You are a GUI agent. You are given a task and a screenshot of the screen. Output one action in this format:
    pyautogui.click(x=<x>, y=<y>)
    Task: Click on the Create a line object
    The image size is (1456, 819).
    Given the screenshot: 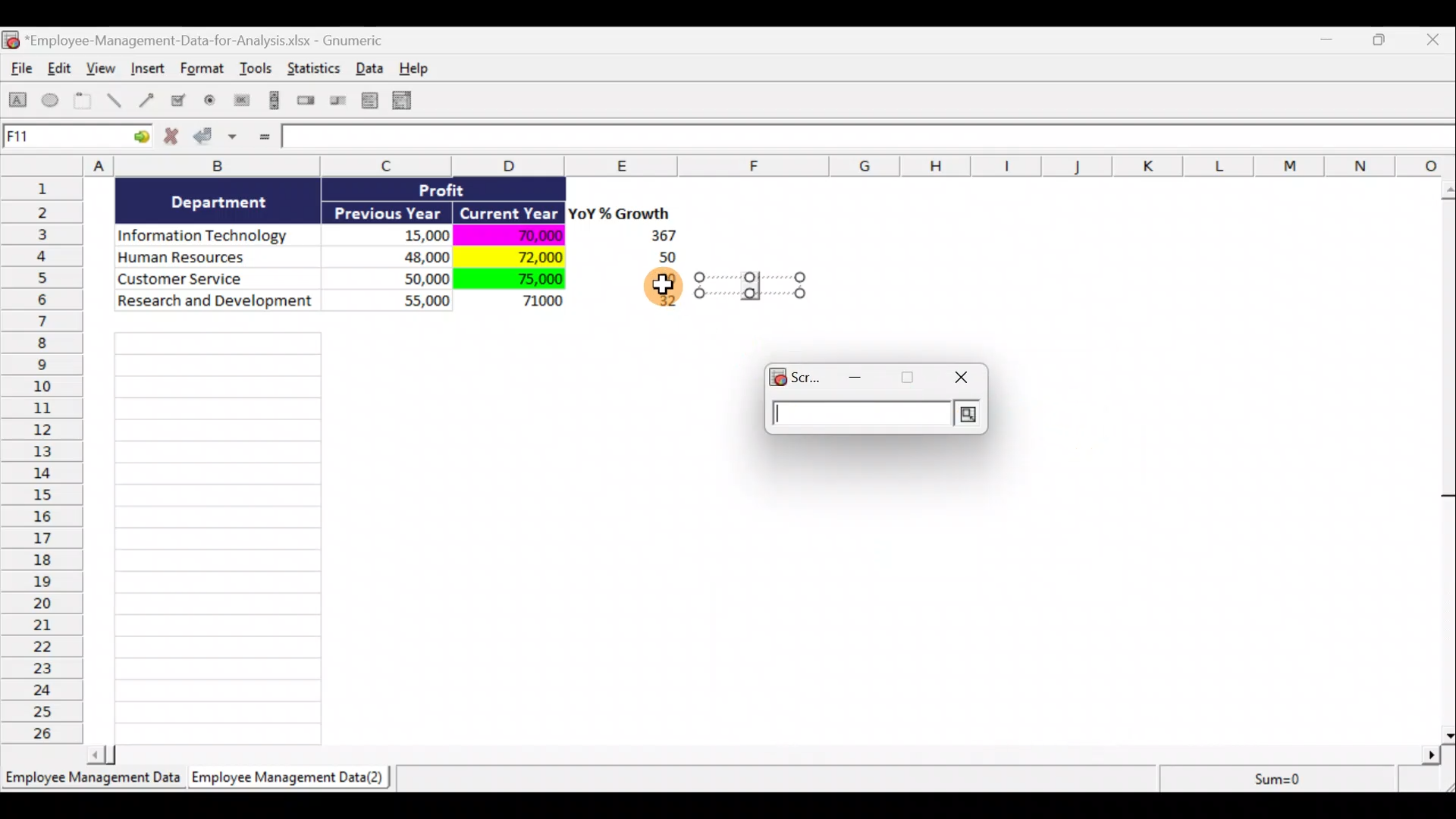 What is the action you would take?
    pyautogui.click(x=117, y=101)
    